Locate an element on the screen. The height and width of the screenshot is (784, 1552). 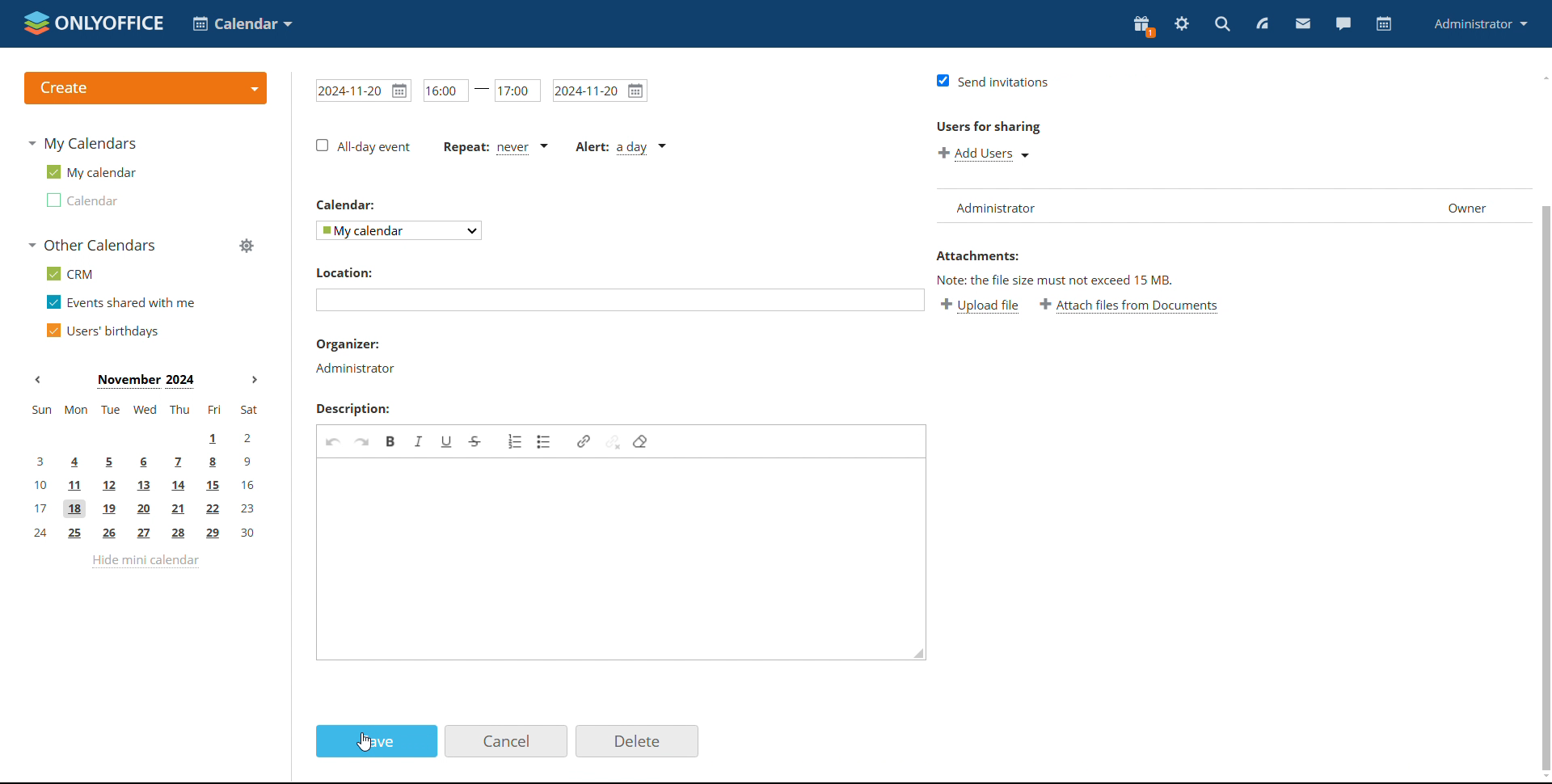
chat is located at coordinates (1342, 24).